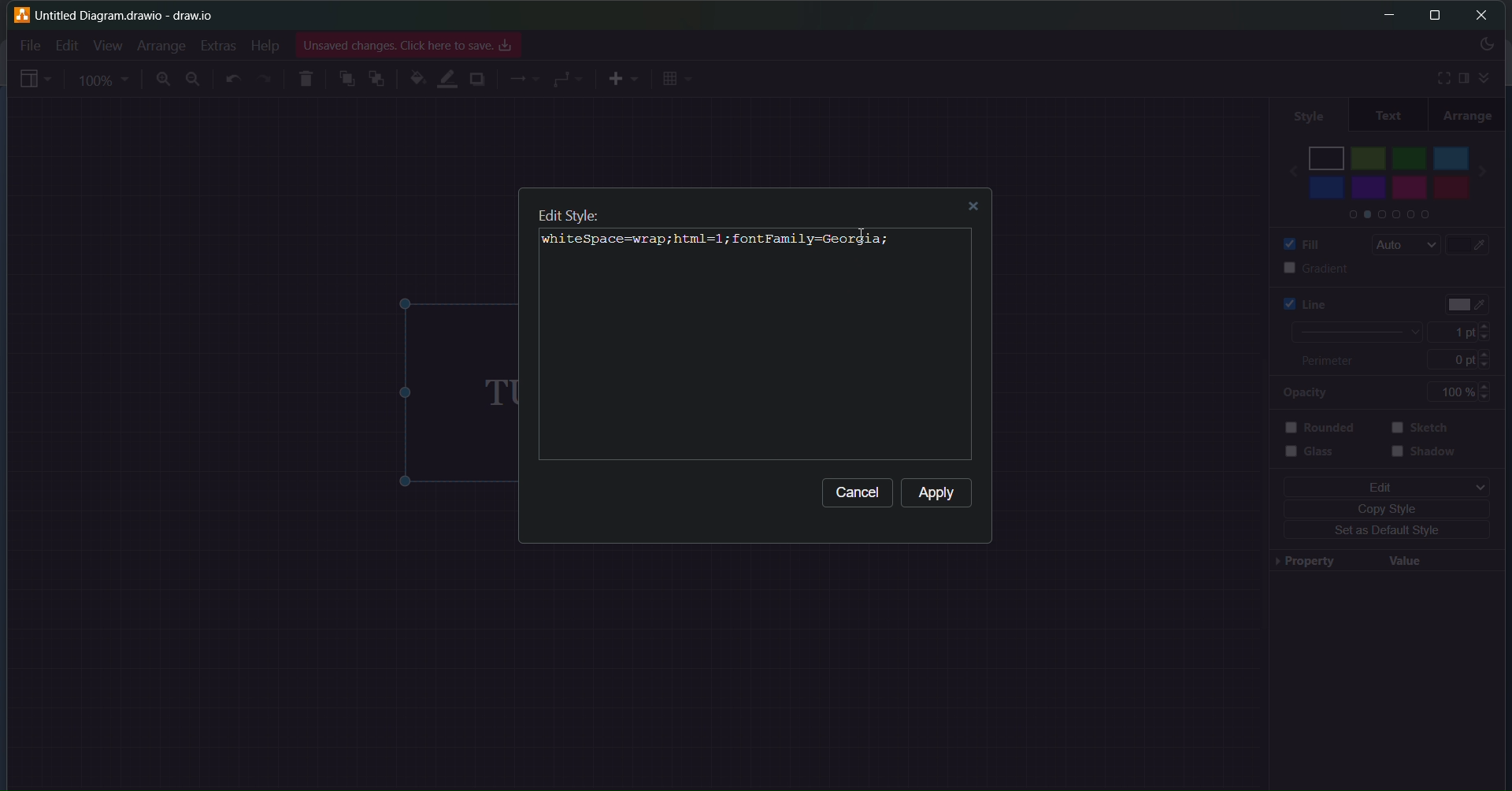 This screenshot has width=1512, height=791. I want to click on grid, so click(679, 79).